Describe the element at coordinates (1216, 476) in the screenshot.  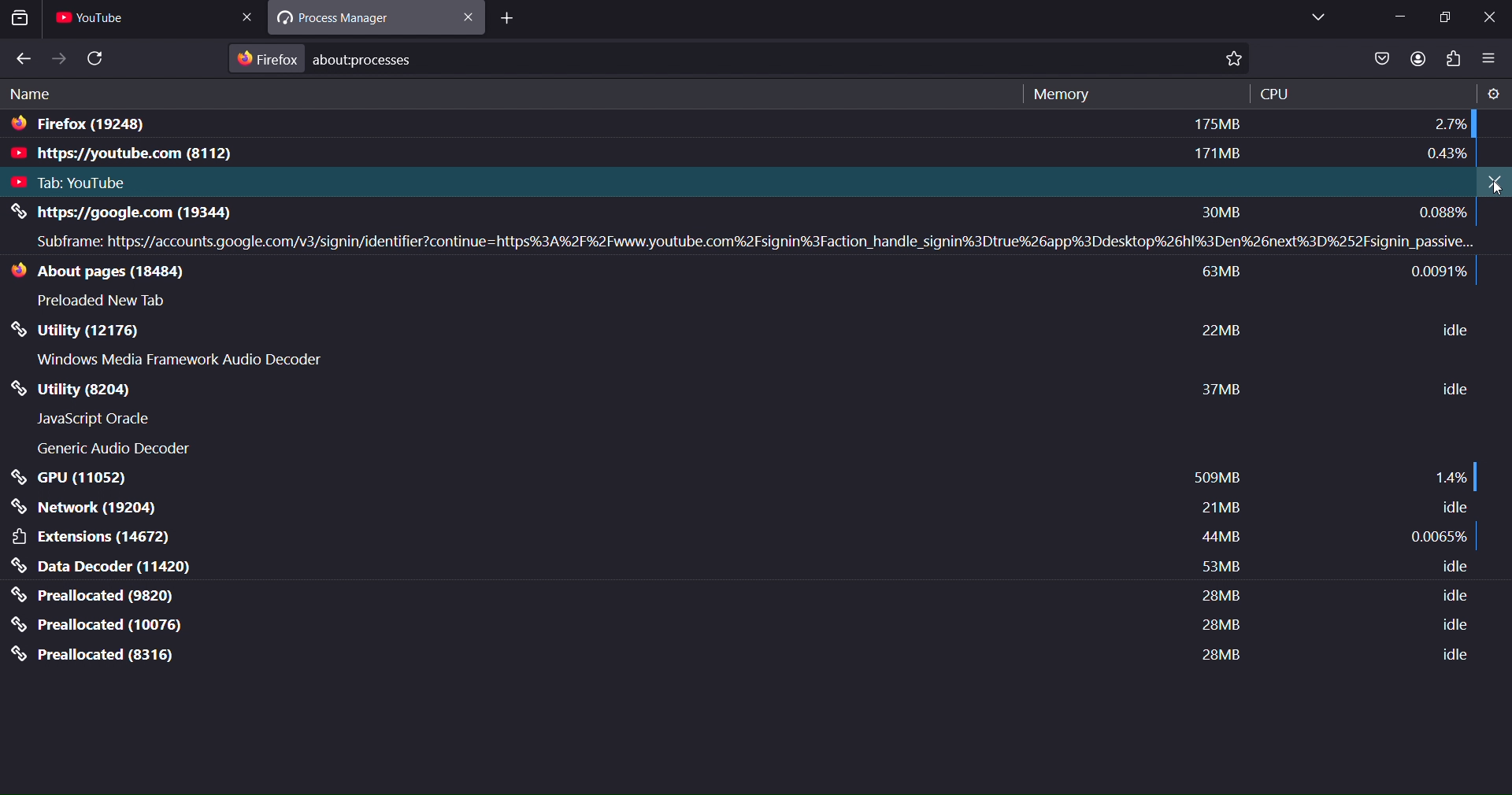
I see `509mb` at that location.